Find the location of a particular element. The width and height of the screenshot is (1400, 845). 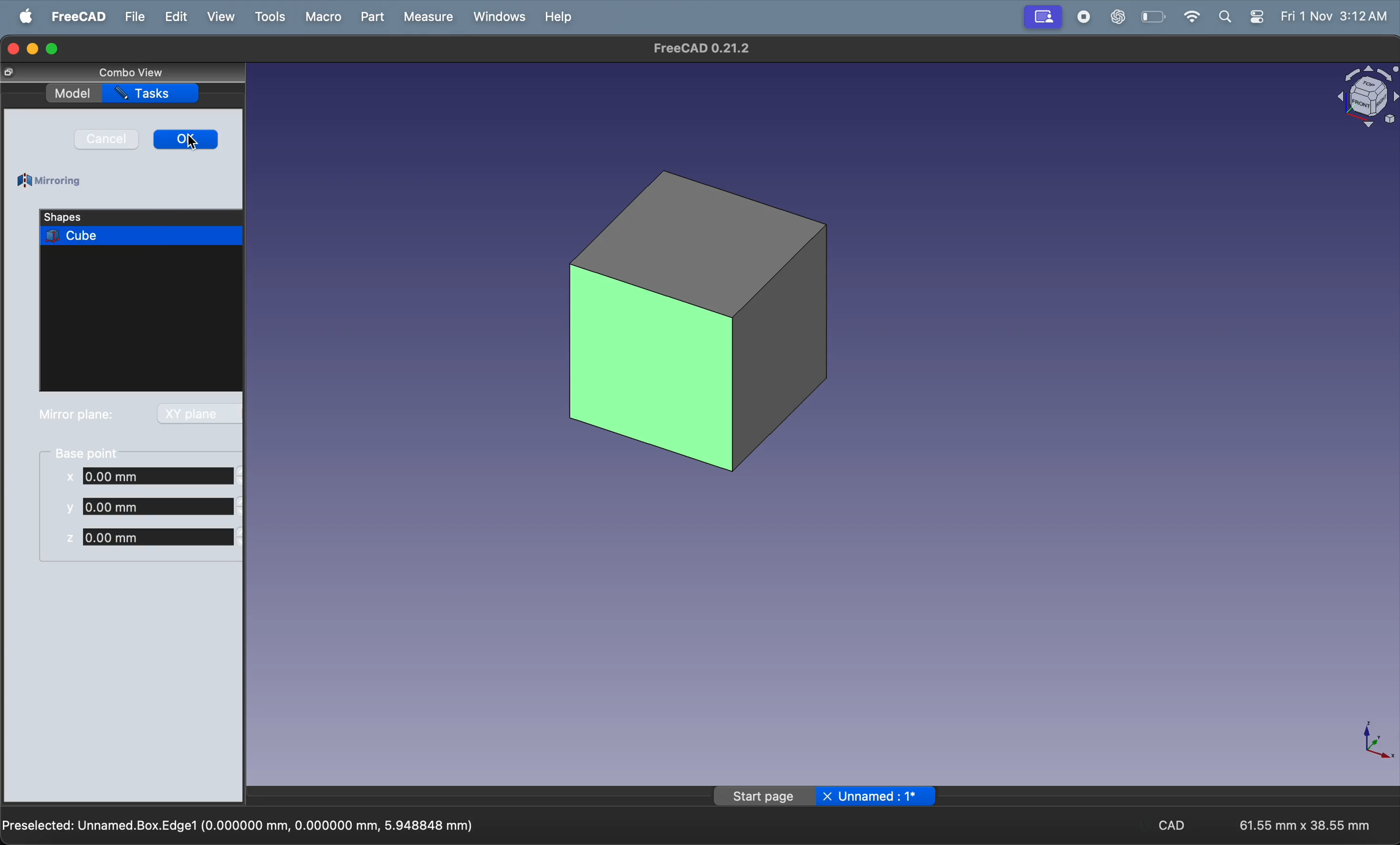

object view is located at coordinates (1365, 100).